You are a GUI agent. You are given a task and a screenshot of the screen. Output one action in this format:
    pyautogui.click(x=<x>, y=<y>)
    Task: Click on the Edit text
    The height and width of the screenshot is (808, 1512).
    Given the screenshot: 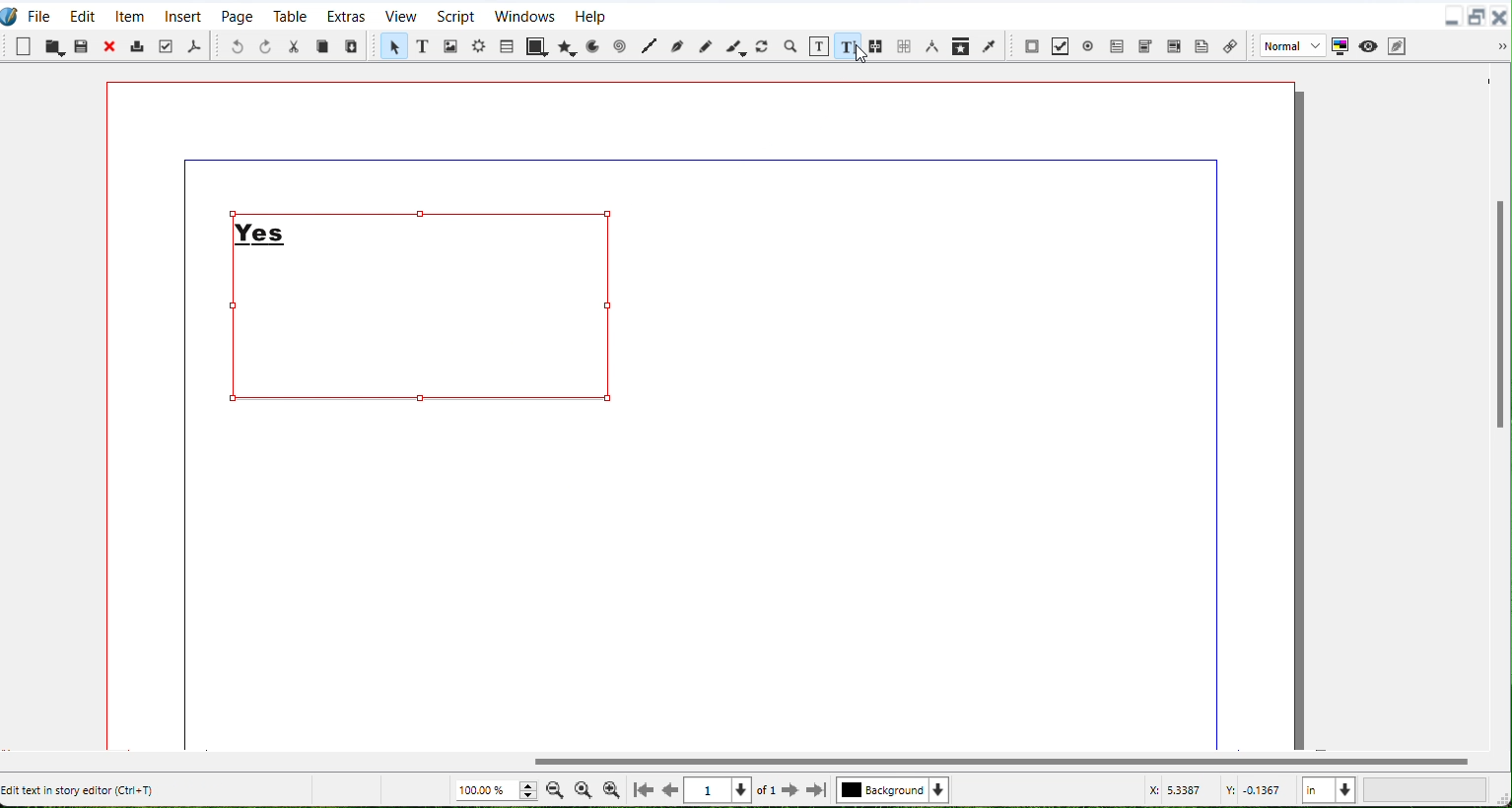 What is the action you would take?
    pyautogui.click(x=849, y=45)
    